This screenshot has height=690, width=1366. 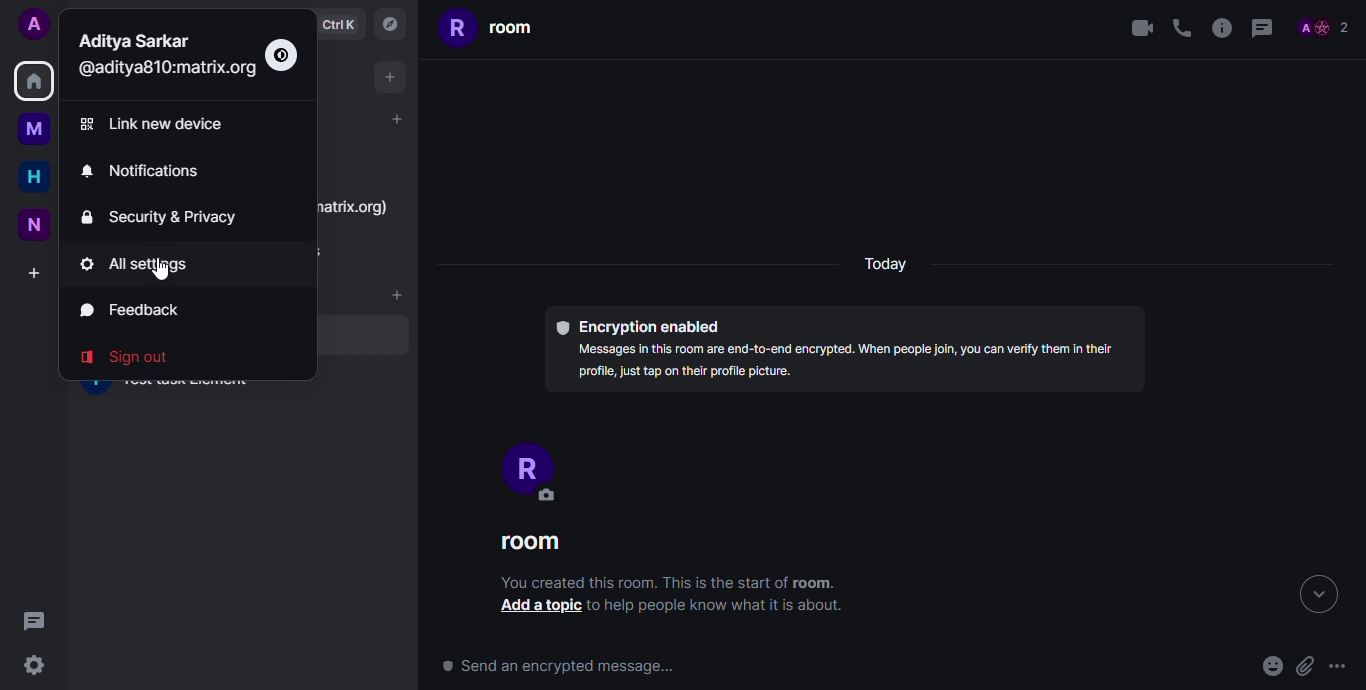 I want to click on name, so click(x=134, y=41).